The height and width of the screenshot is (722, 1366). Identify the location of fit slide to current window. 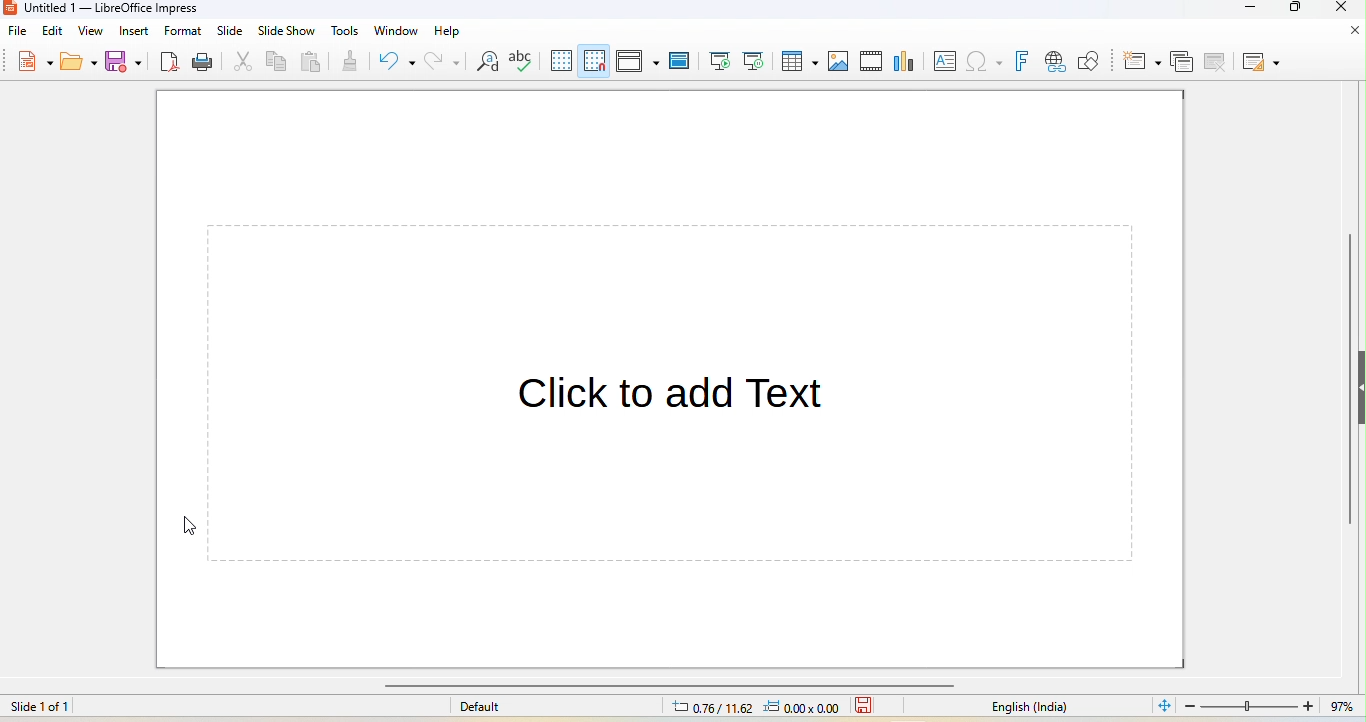
(1162, 705).